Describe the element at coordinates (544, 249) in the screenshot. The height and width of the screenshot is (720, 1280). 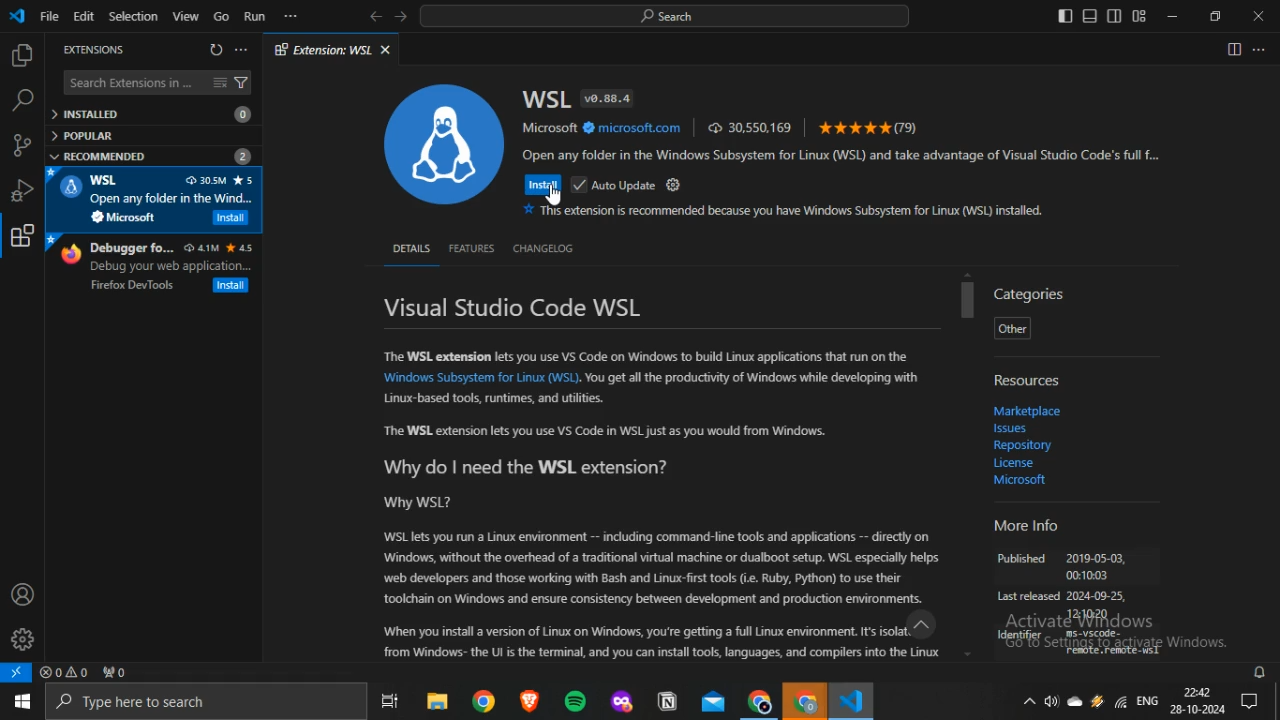
I see `CHANGELOG` at that location.